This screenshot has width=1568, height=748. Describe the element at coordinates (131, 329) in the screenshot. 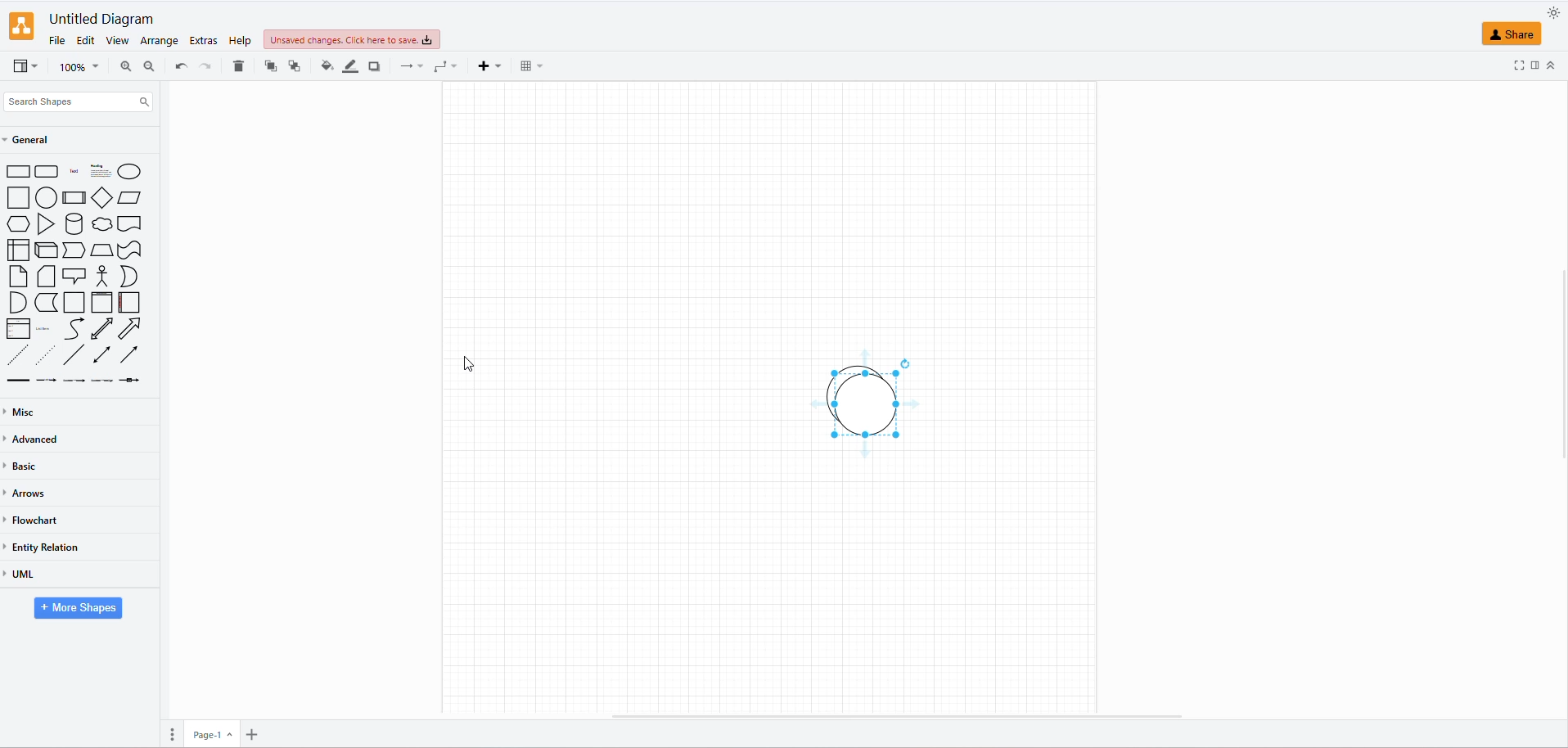

I see `` at that location.